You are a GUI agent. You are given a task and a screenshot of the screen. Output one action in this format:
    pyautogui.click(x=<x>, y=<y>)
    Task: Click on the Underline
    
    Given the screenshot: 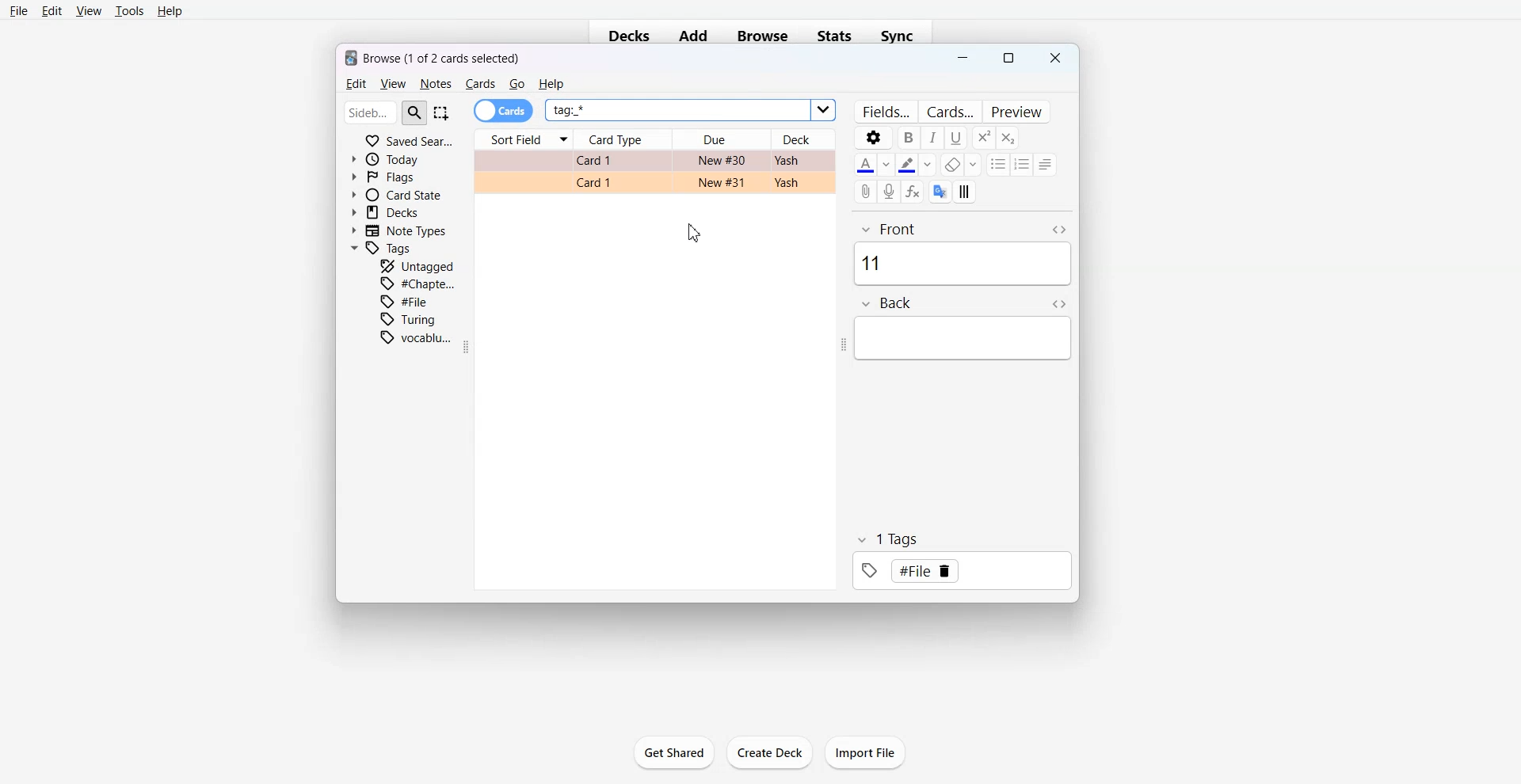 What is the action you would take?
    pyautogui.click(x=956, y=137)
    